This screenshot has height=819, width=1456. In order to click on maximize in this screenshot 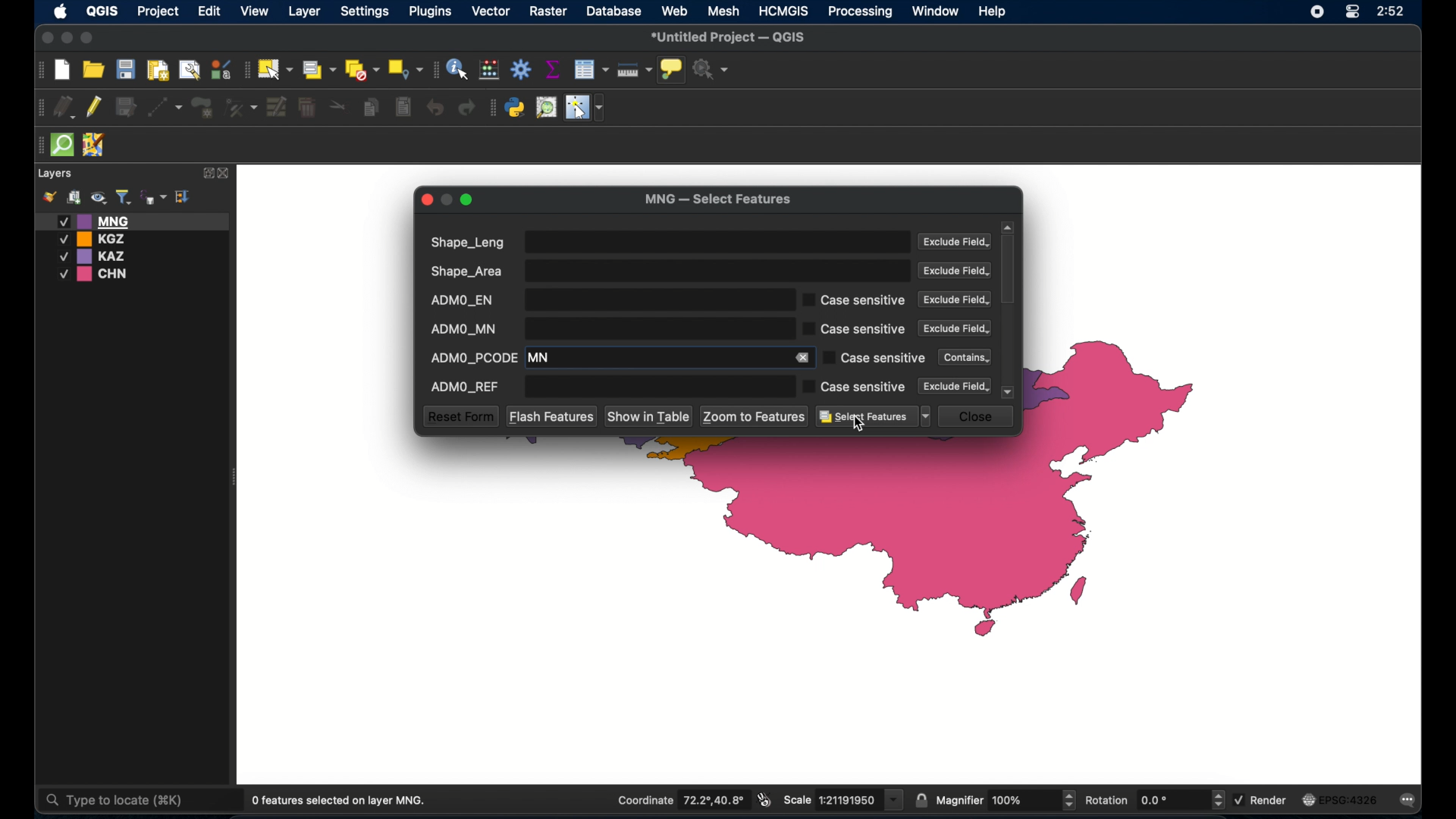, I will do `click(469, 201)`.